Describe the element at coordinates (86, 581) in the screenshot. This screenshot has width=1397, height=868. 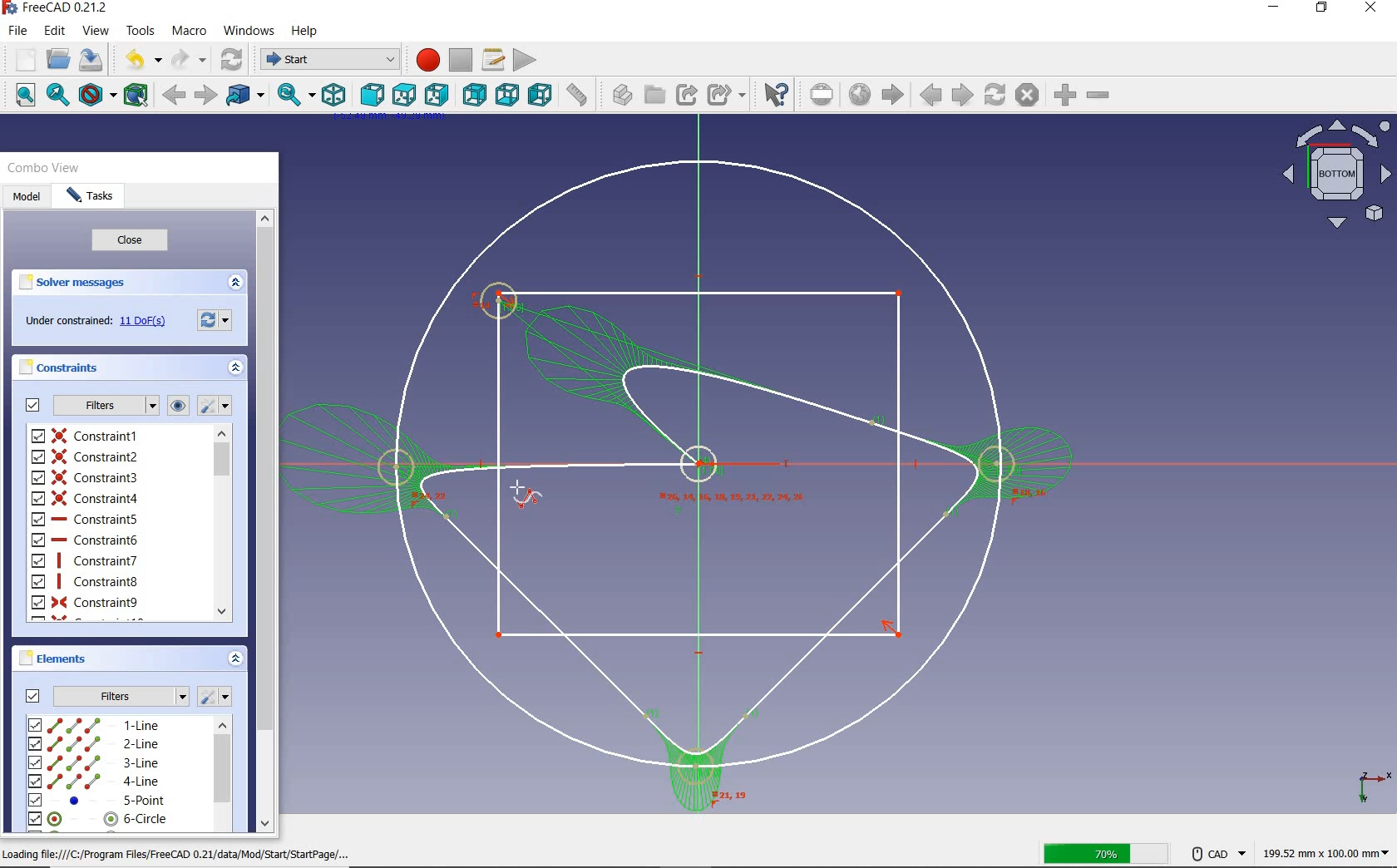
I see `constraint8` at that location.